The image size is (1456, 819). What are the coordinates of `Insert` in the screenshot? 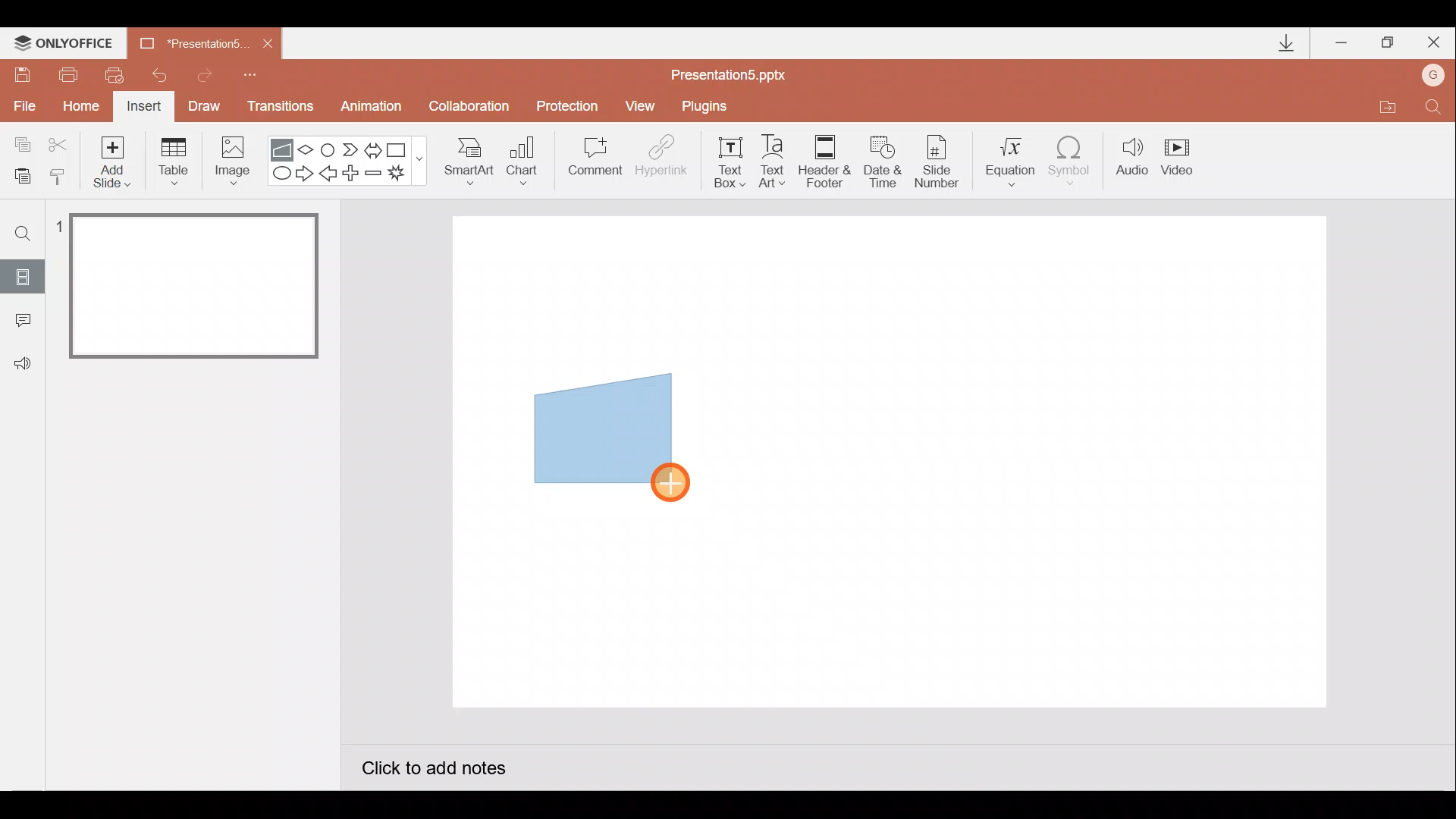 It's located at (142, 108).